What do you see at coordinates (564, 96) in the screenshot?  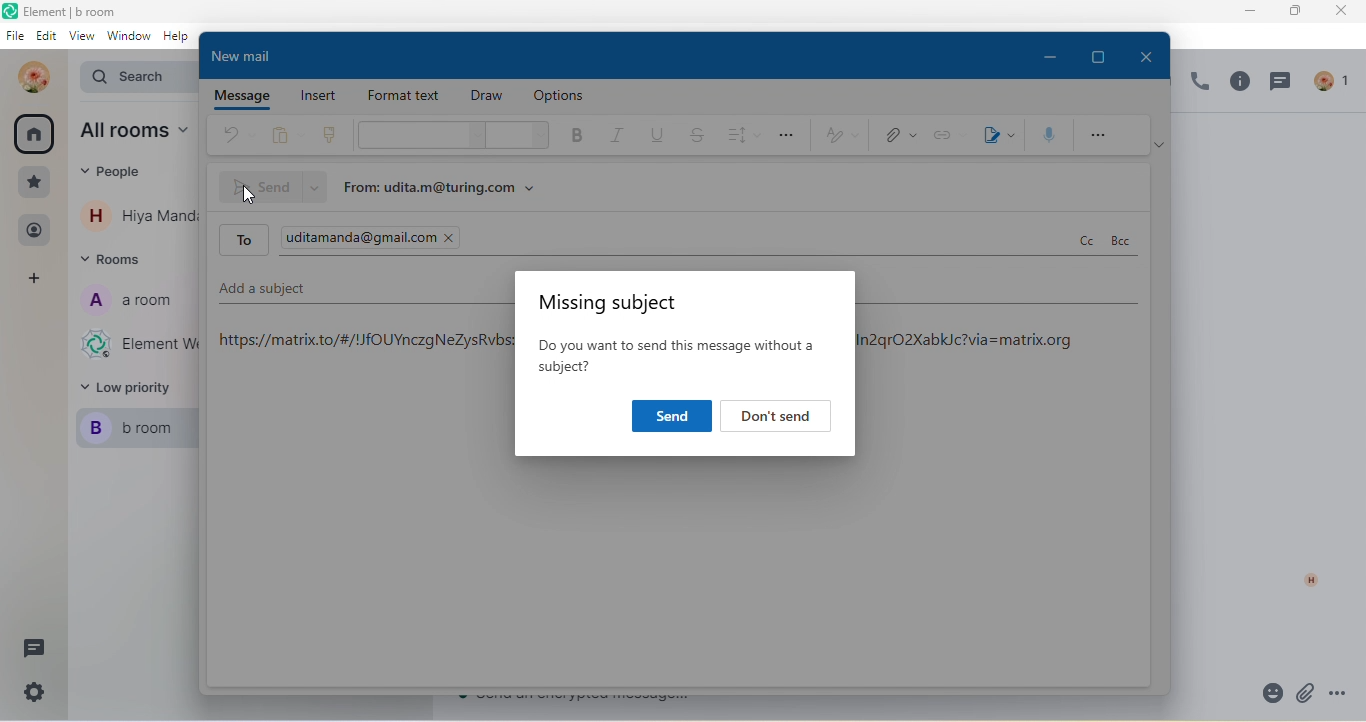 I see `option` at bounding box center [564, 96].